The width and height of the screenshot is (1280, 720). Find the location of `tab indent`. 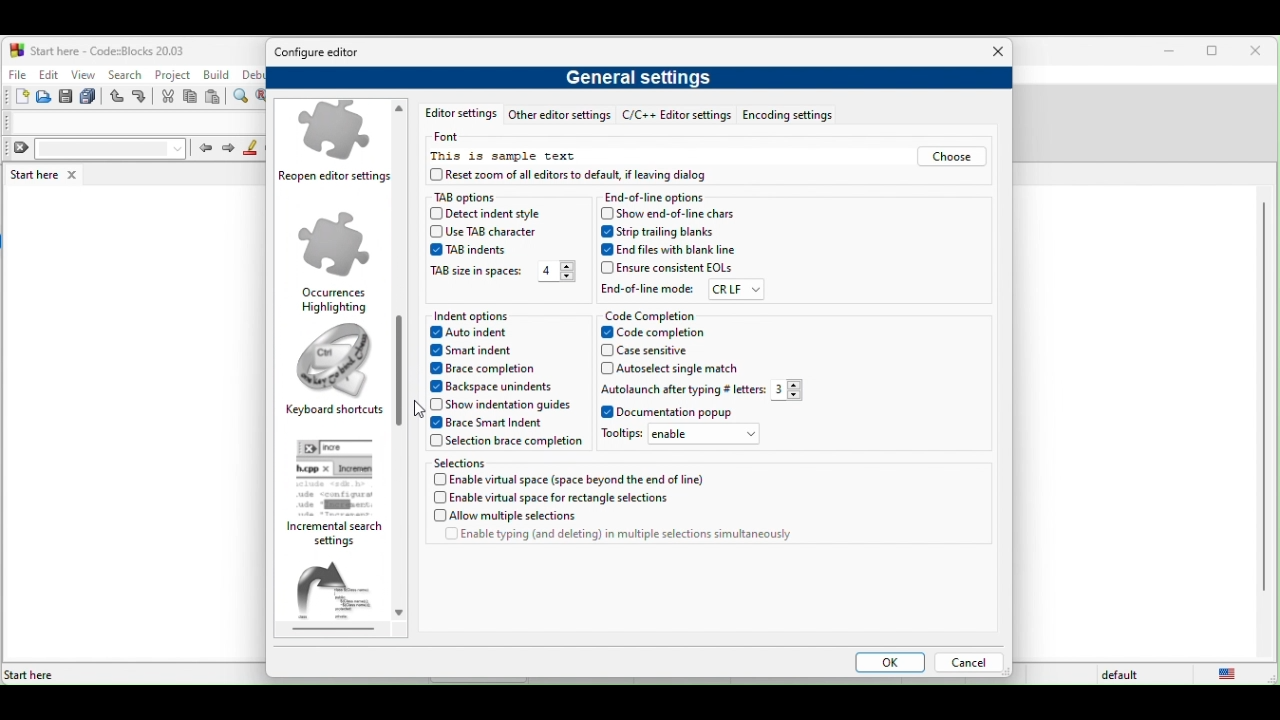

tab indent is located at coordinates (467, 250).